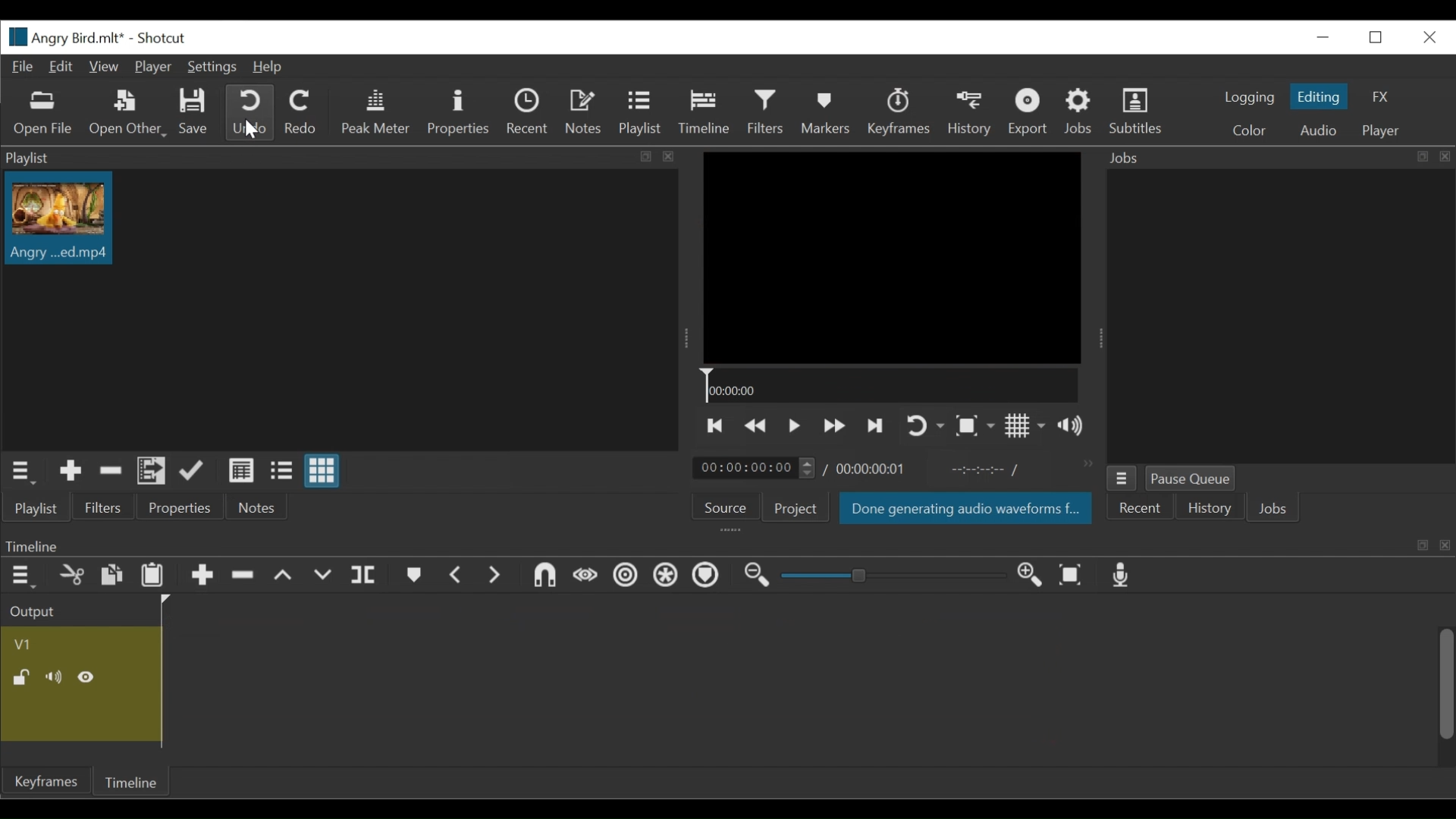 This screenshot has width=1456, height=819. Describe the element at coordinates (62, 37) in the screenshot. I see `File name` at that location.